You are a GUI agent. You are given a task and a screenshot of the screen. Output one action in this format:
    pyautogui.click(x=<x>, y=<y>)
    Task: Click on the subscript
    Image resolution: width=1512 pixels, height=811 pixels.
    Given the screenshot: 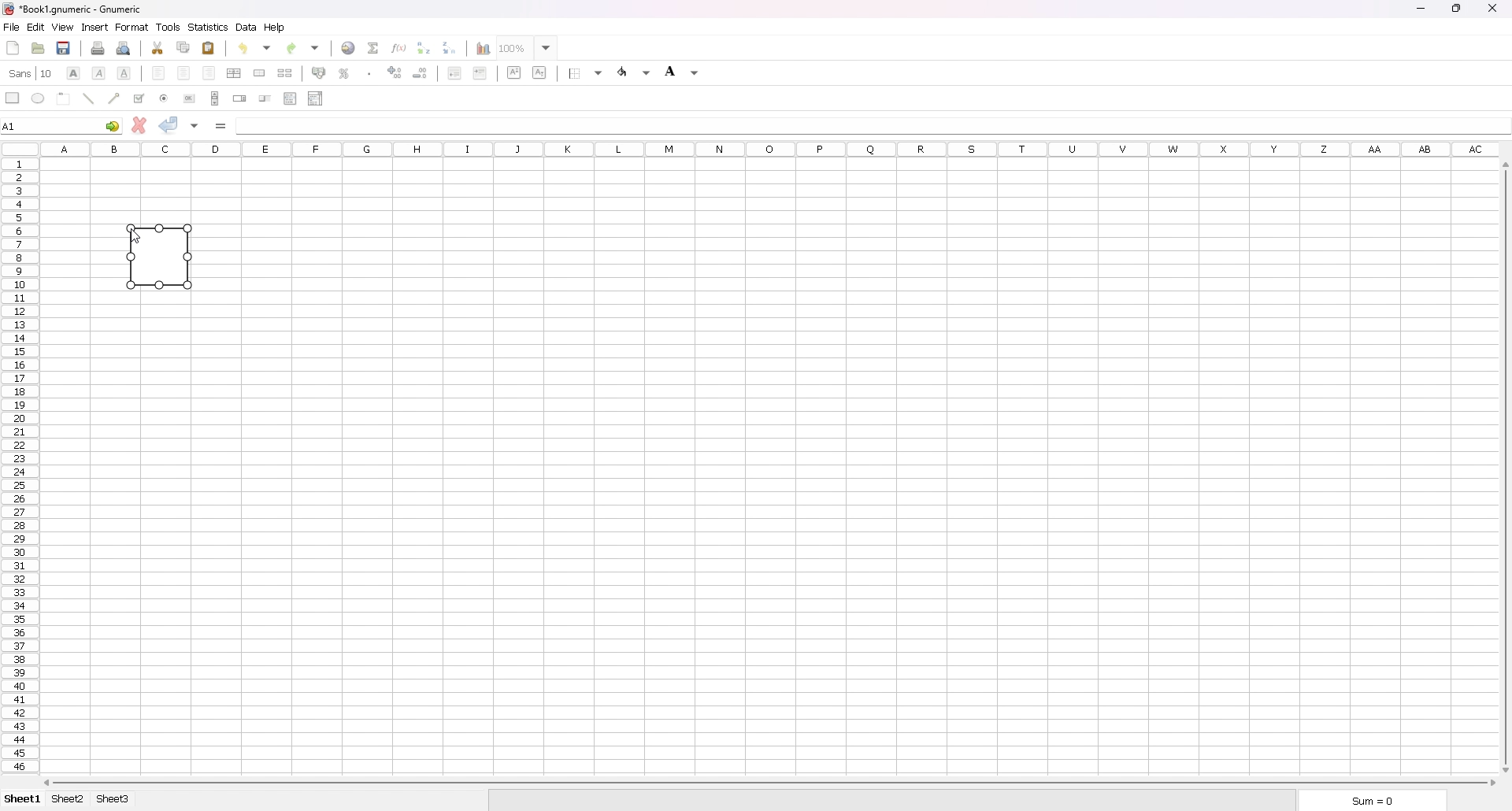 What is the action you would take?
    pyautogui.click(x=540, y=72)
    